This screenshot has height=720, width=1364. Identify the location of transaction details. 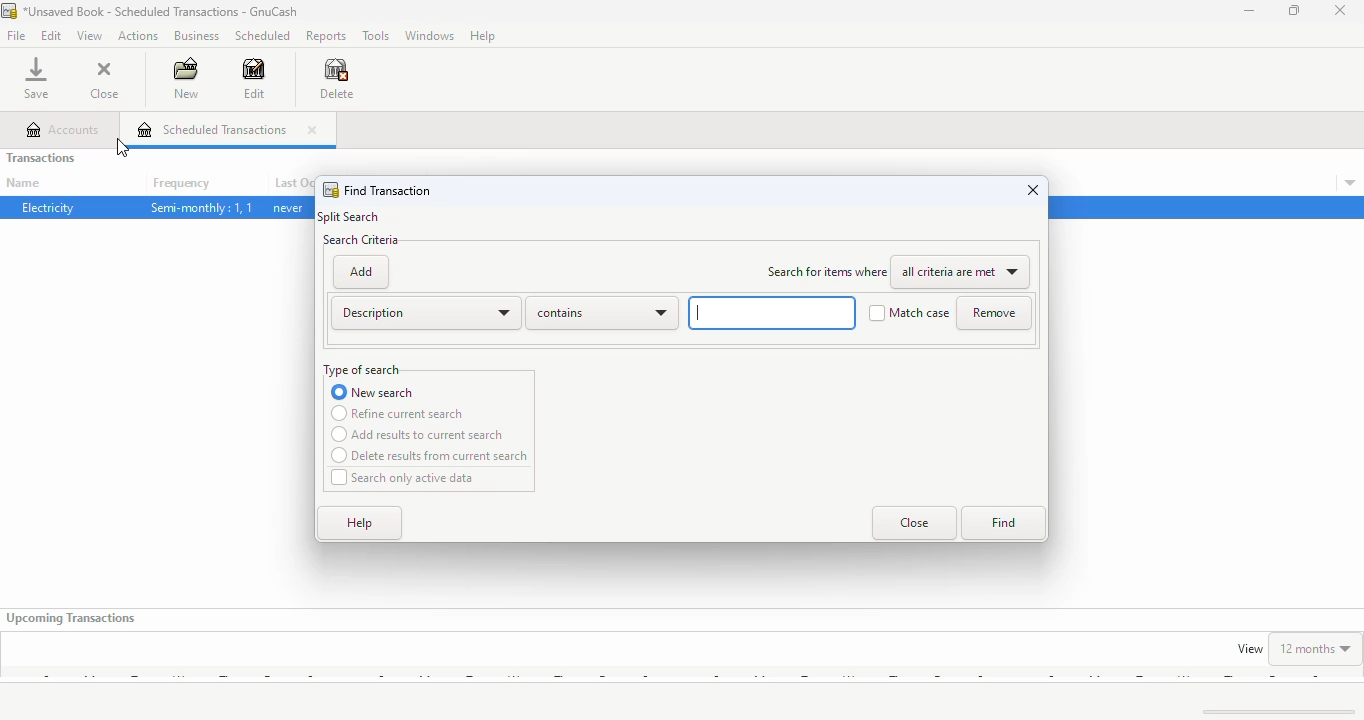
(1350, 183).